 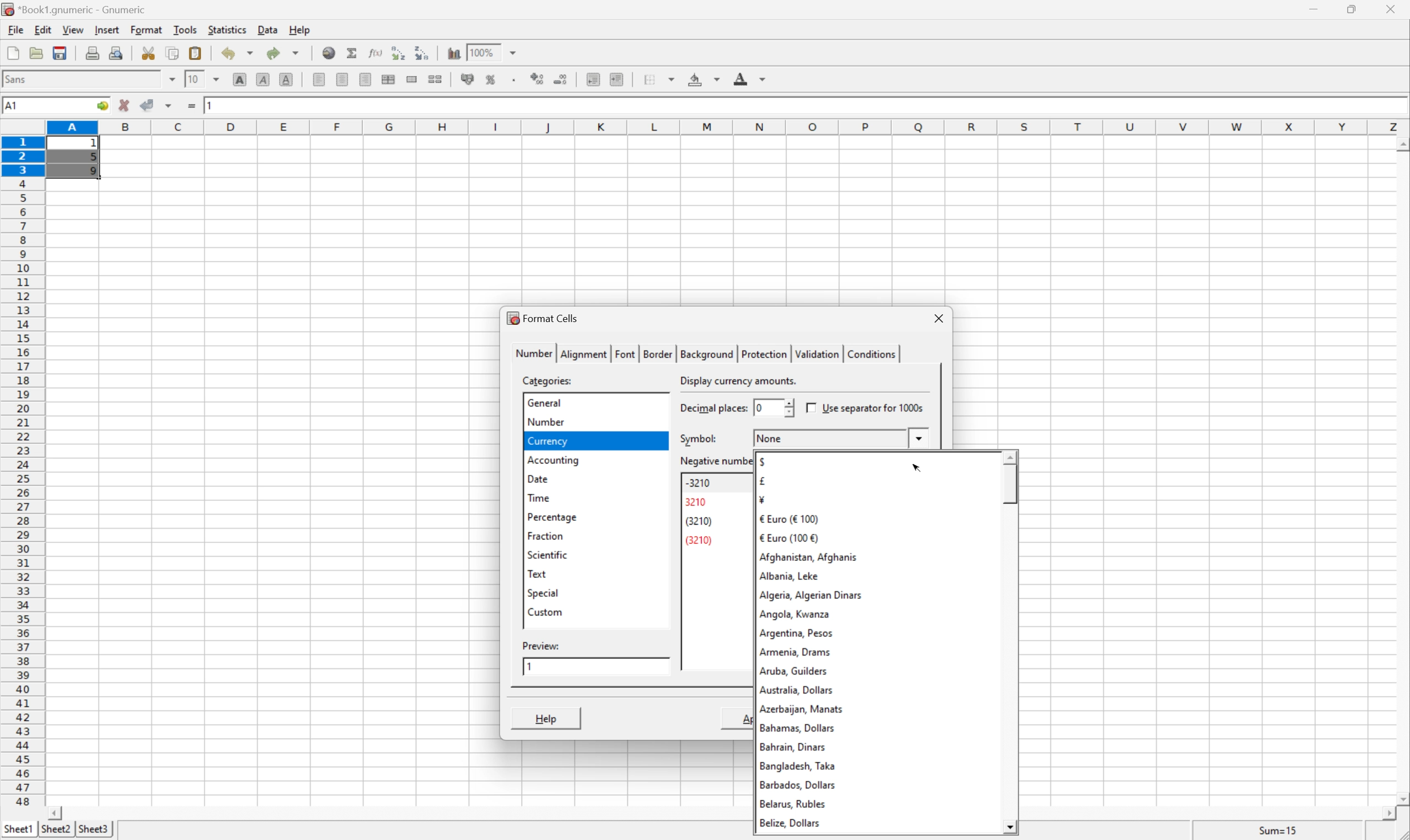 I want to click on drop down, so click(x=173, y=79).